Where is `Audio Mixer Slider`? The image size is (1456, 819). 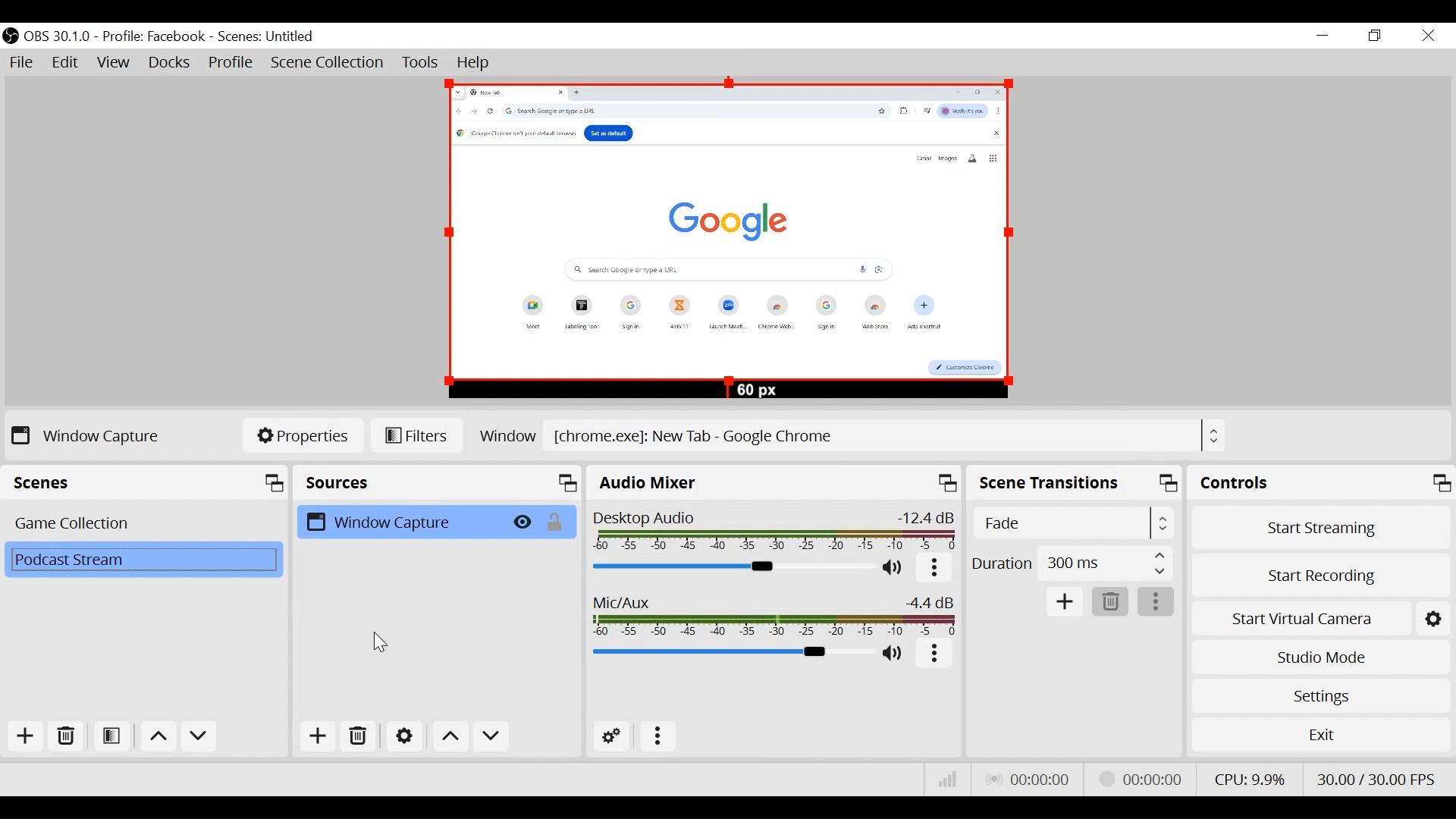 Audio Mixer Slider is located at coordinates (733, 569).